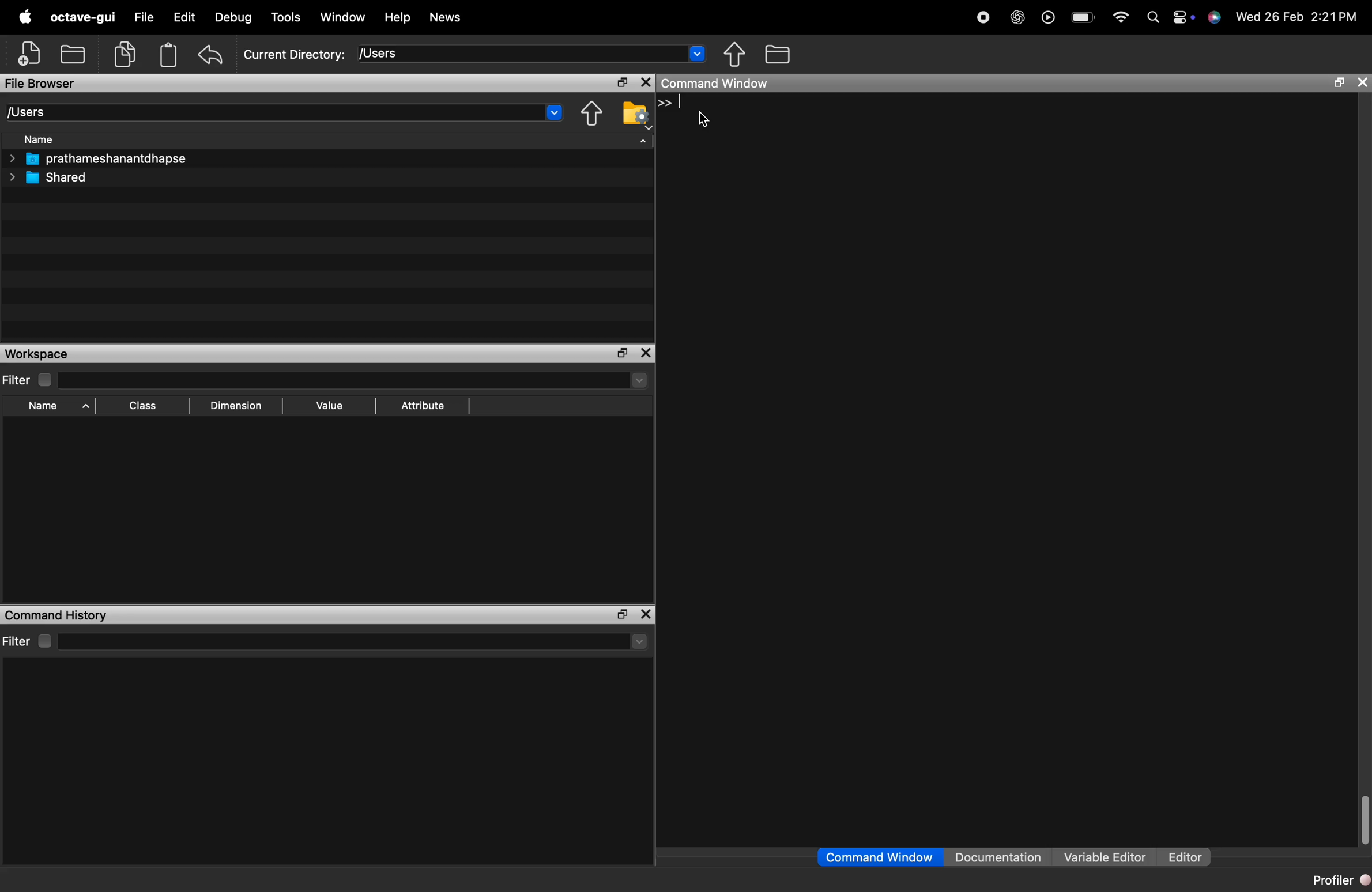  What do you see at coordinates (779, 54) in the screenshot?
I see `files` at bounding box center [779, 54].